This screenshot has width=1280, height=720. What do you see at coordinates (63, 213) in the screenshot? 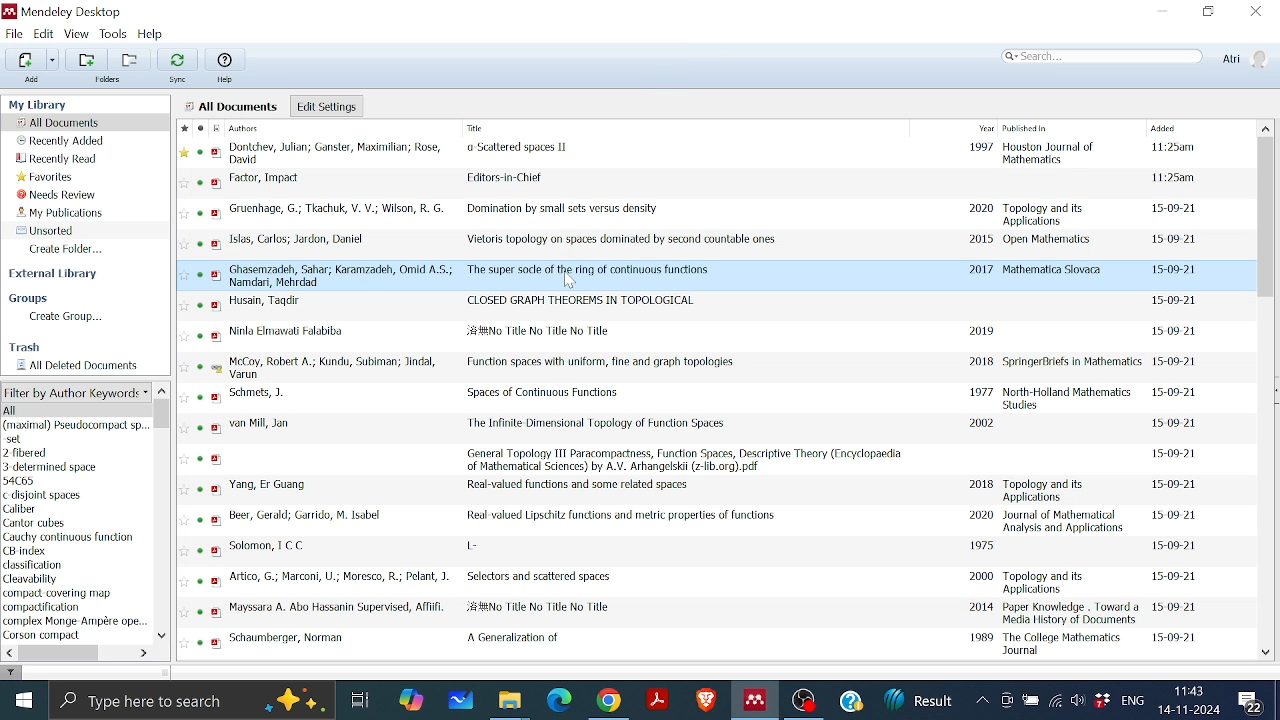
I see `My publications` at bounding box center [63, 213].